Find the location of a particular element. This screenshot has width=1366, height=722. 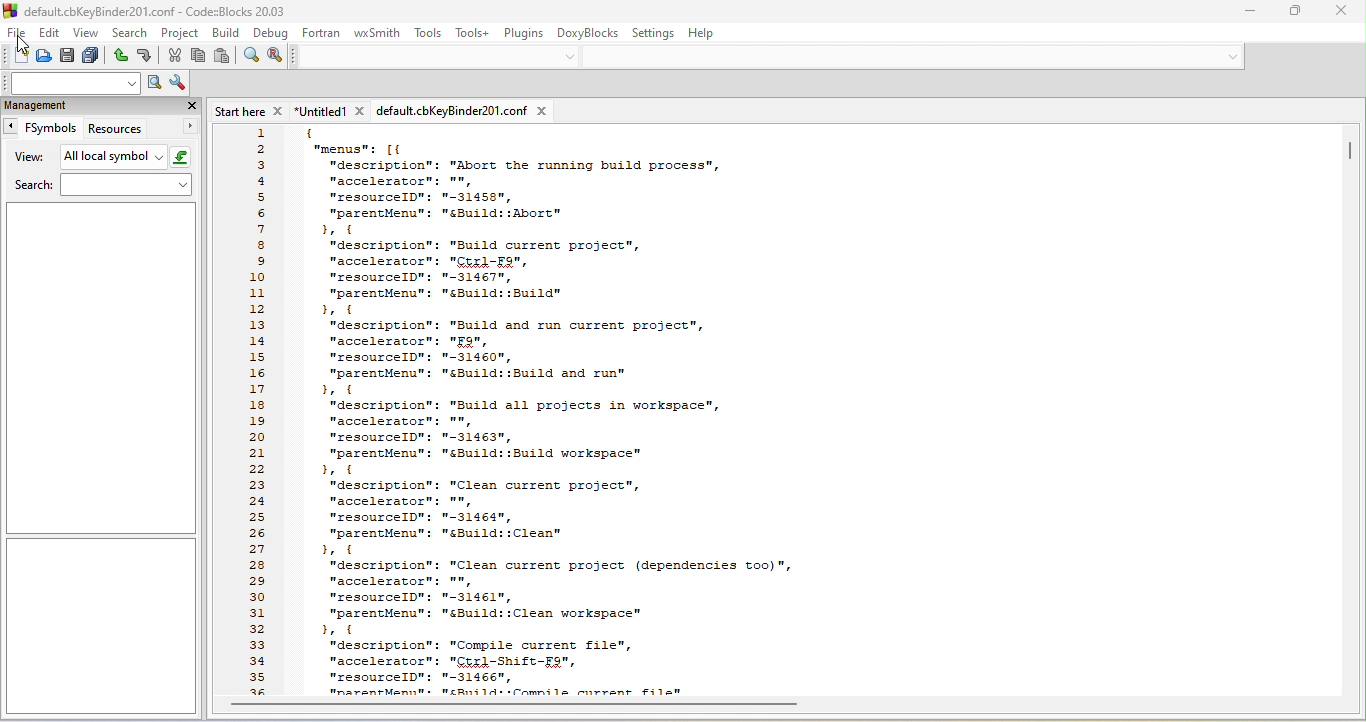

search is located at coordinates (132, 34).